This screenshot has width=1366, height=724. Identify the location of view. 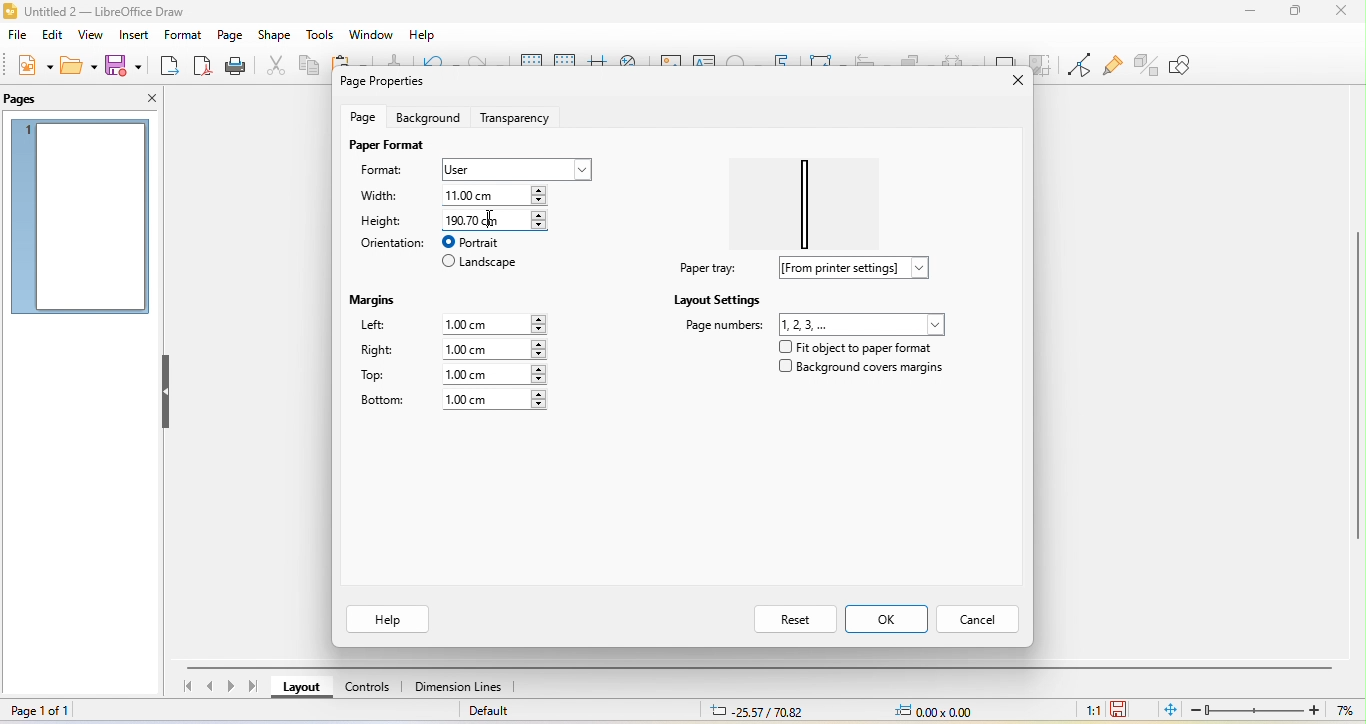
(89, 37).